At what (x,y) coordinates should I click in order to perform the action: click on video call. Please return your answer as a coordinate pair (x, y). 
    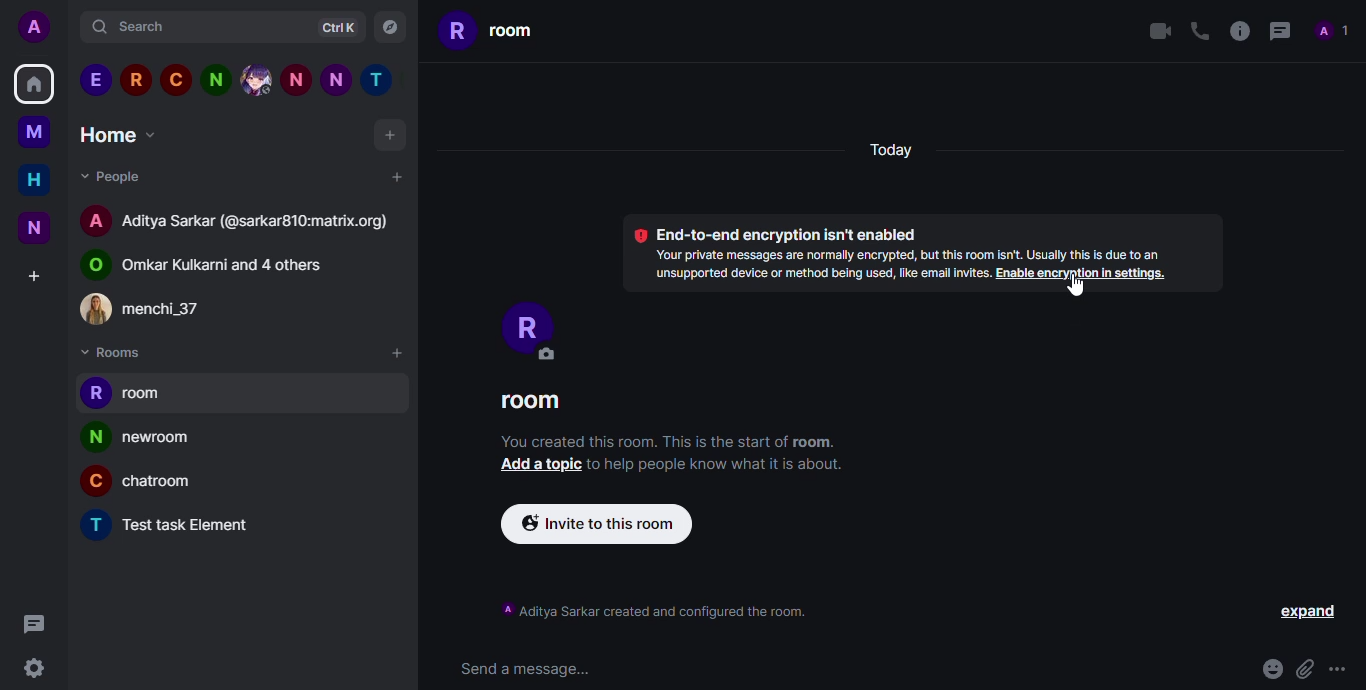
    Looking at the image, I should click on (1155, 31).